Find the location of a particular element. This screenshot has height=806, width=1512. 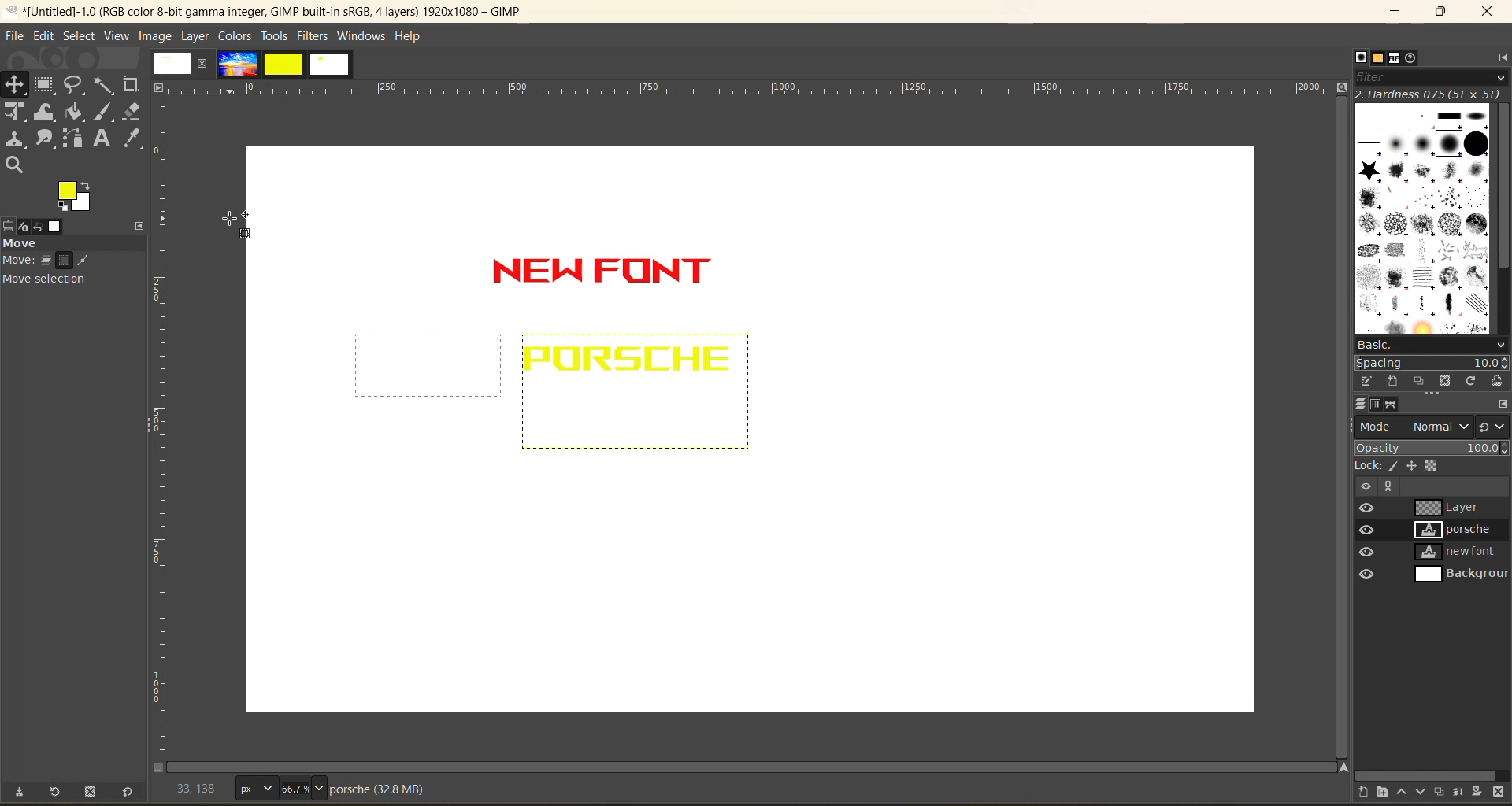

edit this brush is located at coordinates (1358, 381).